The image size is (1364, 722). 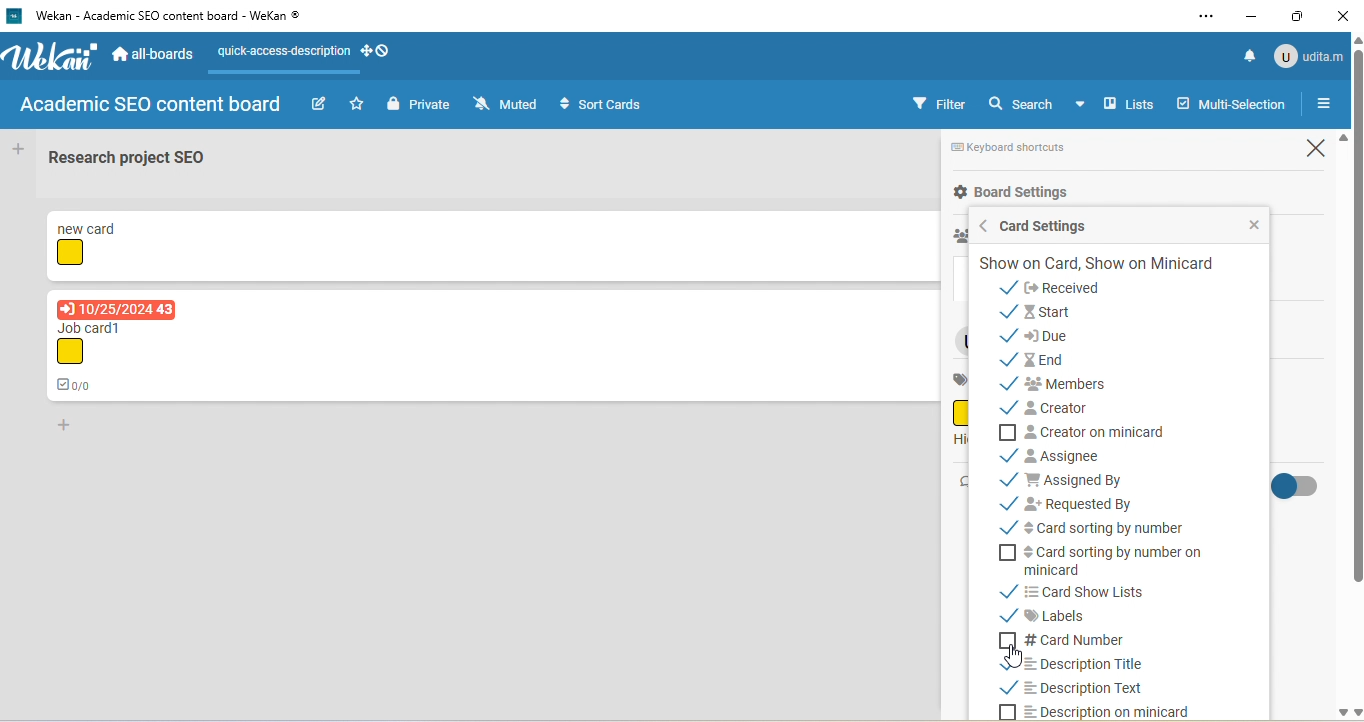 I want to click on private, so click(x=417, y=104).